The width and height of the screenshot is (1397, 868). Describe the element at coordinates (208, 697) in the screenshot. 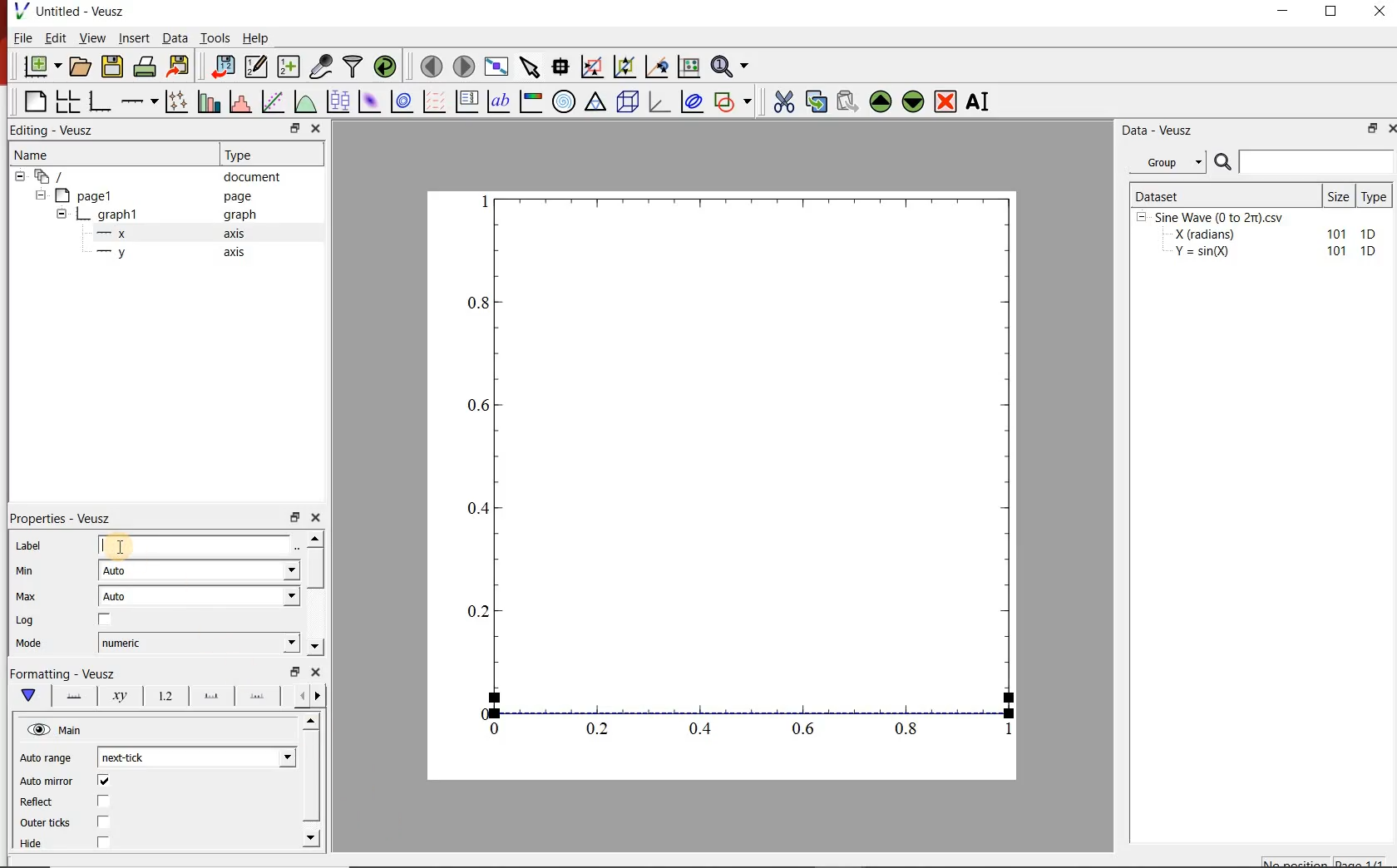

I see `options` at that location.